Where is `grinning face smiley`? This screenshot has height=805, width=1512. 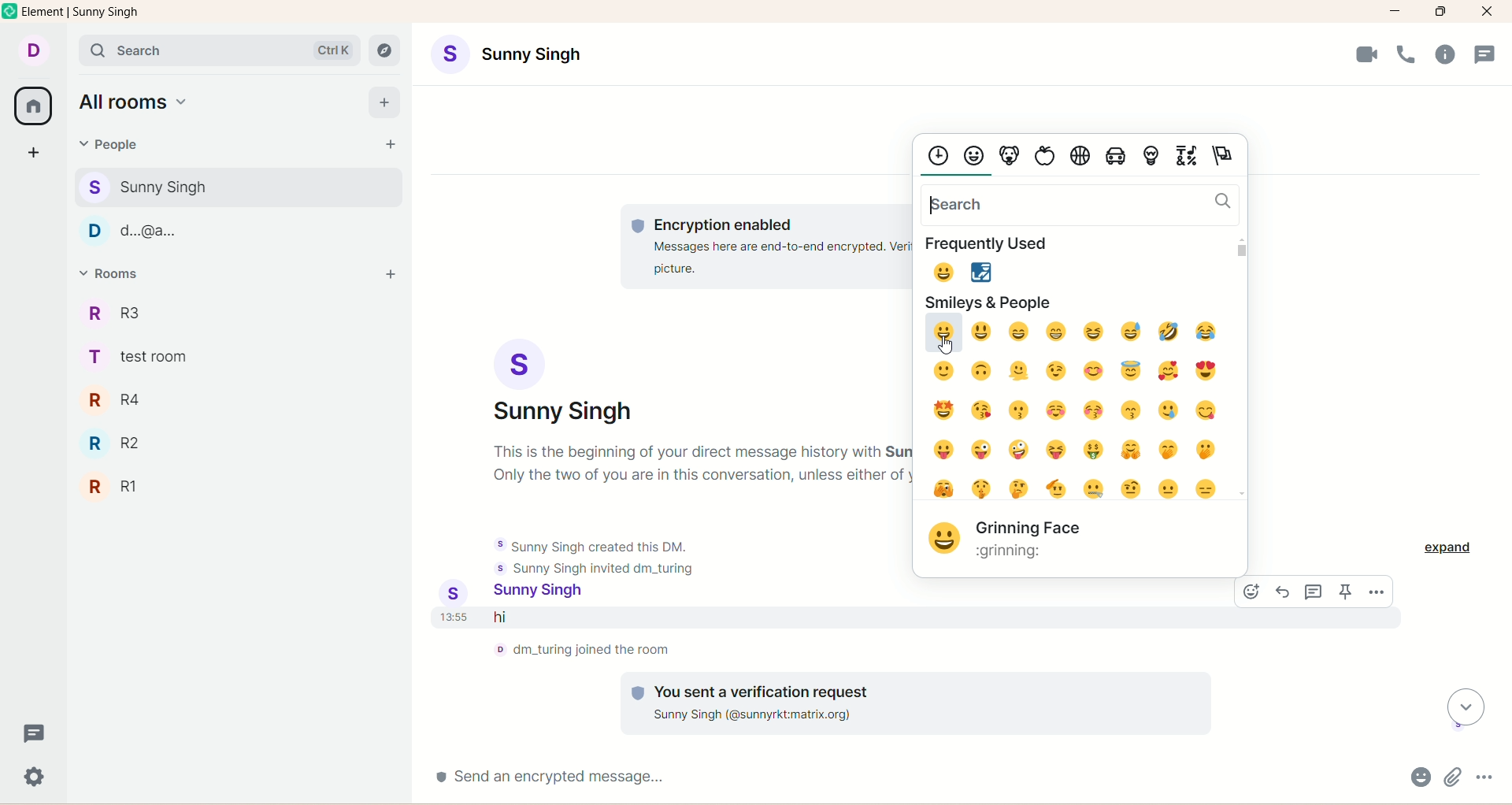
grinning face smiley is located at coordinates (945, 539).